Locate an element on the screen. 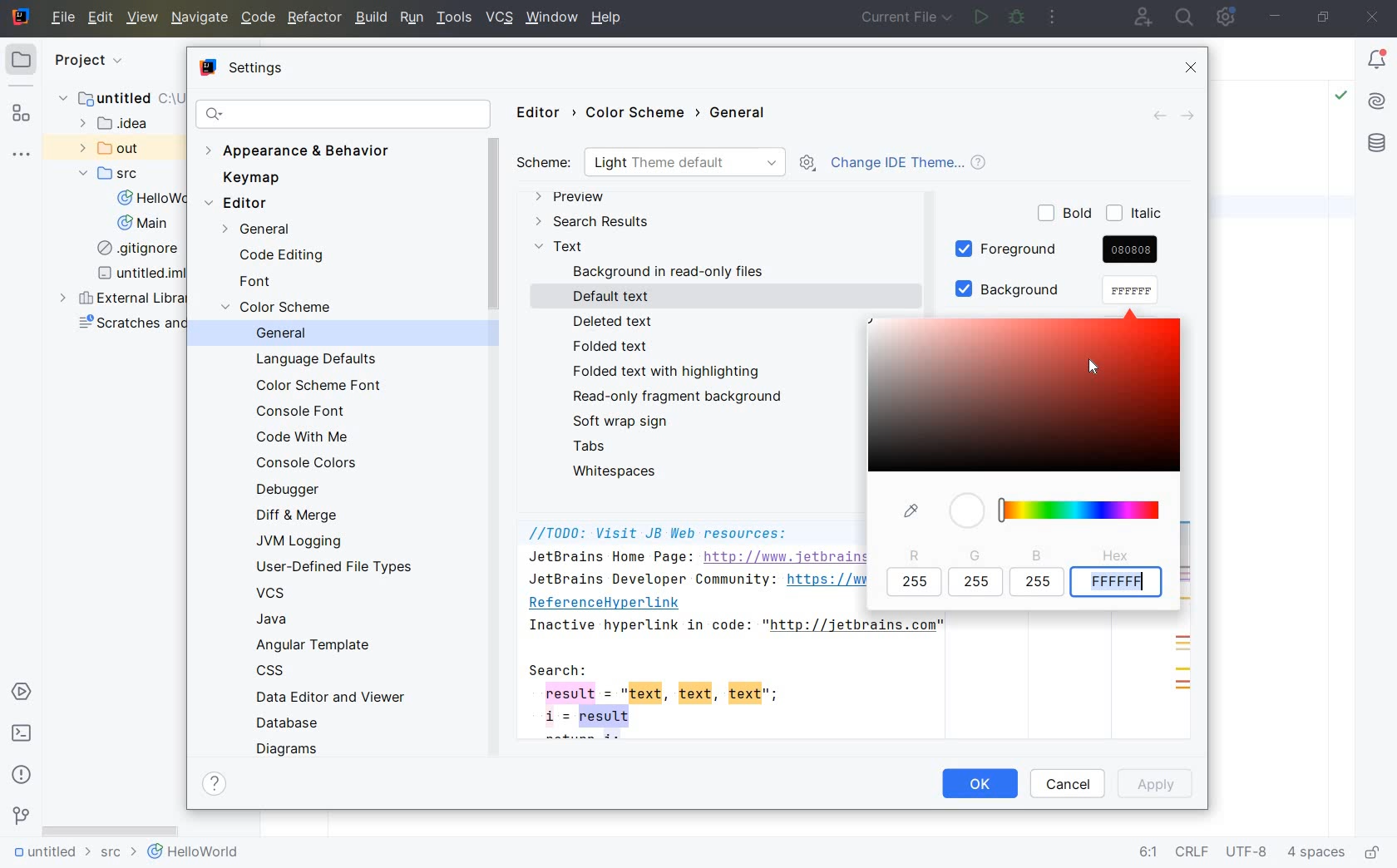 The height and width of the screenshot is (868, 1397). LANGUAGE DEFAULTS is located at coordinates (316, 361).